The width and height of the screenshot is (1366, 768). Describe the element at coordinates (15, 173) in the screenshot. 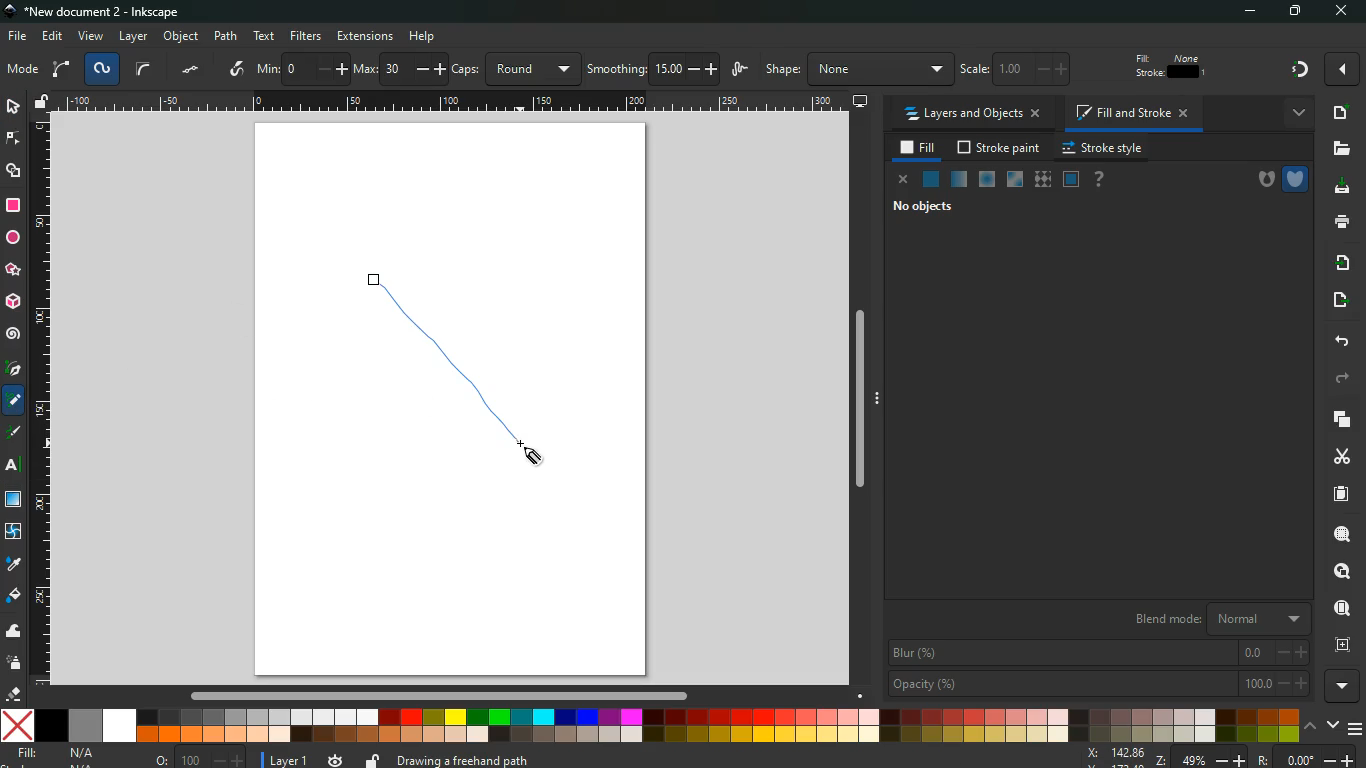

I see `shapes` at that location.